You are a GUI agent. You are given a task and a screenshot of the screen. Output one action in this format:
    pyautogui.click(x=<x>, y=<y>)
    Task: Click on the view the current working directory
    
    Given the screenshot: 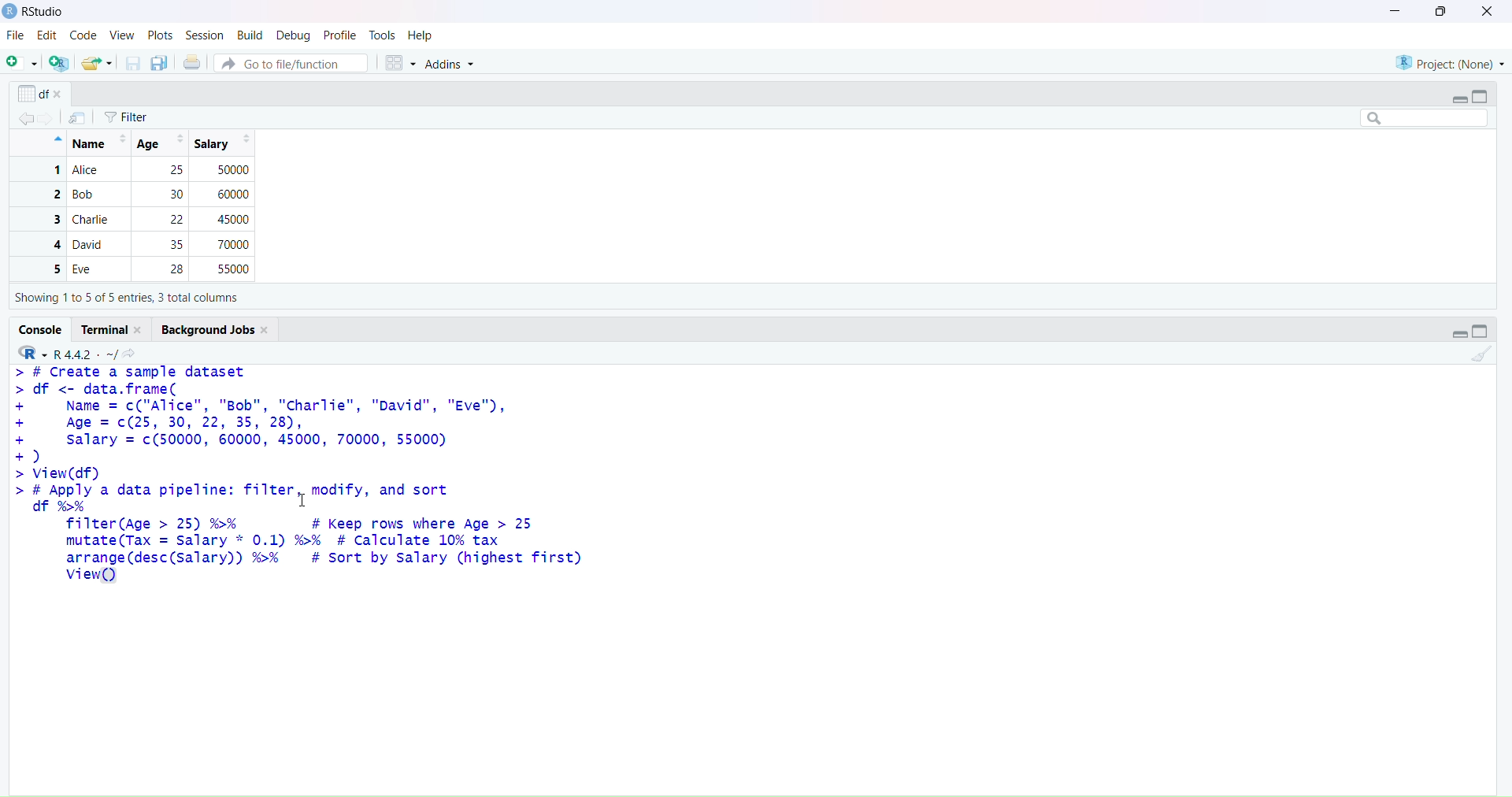 What is the action you would take?
    pyautogui.click(x=131, y=354)
    